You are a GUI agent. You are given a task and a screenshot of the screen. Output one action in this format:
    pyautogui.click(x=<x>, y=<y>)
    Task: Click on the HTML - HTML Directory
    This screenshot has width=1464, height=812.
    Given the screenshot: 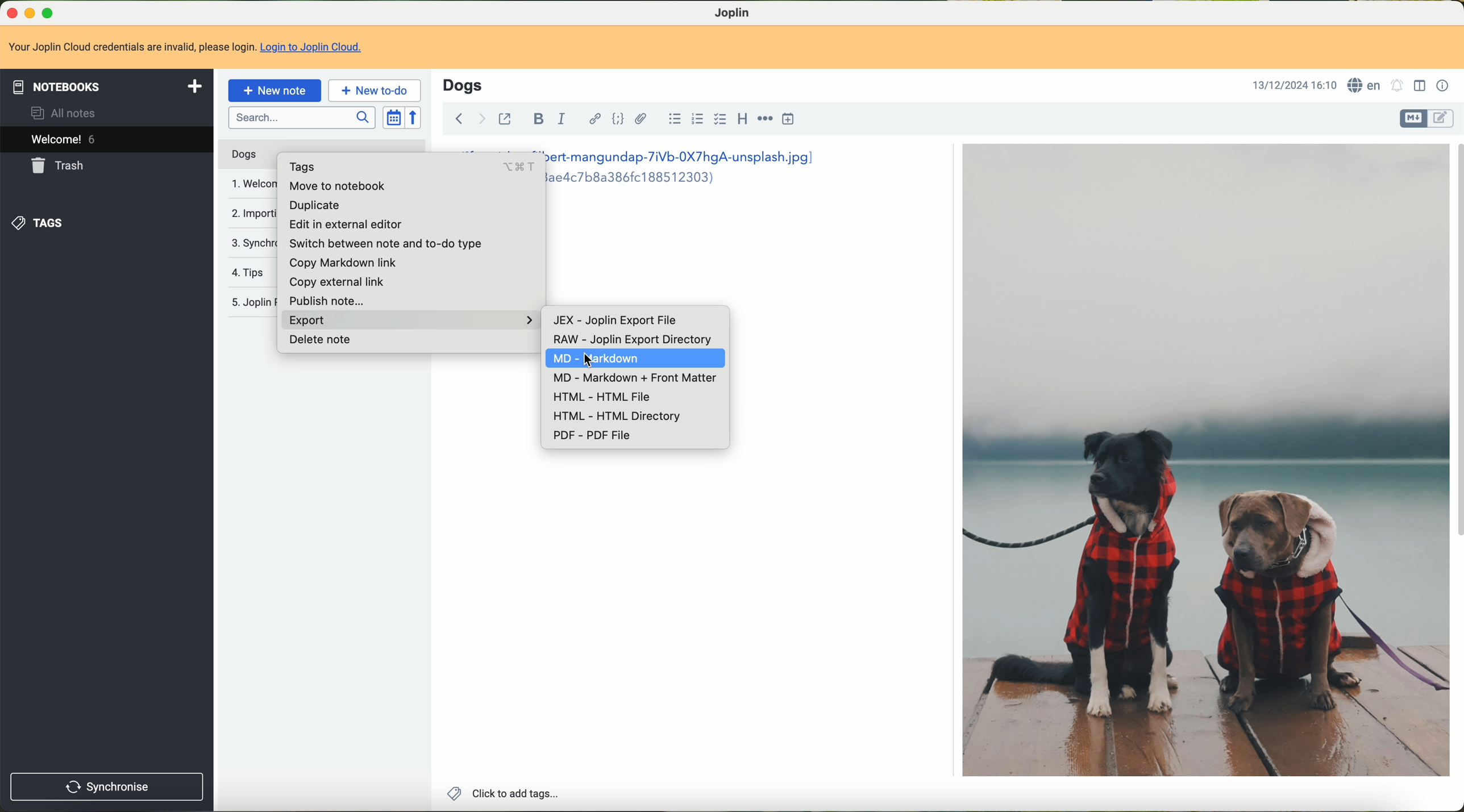 What is the action you would take?
    pyautogui.click(x=619, y=417)
    